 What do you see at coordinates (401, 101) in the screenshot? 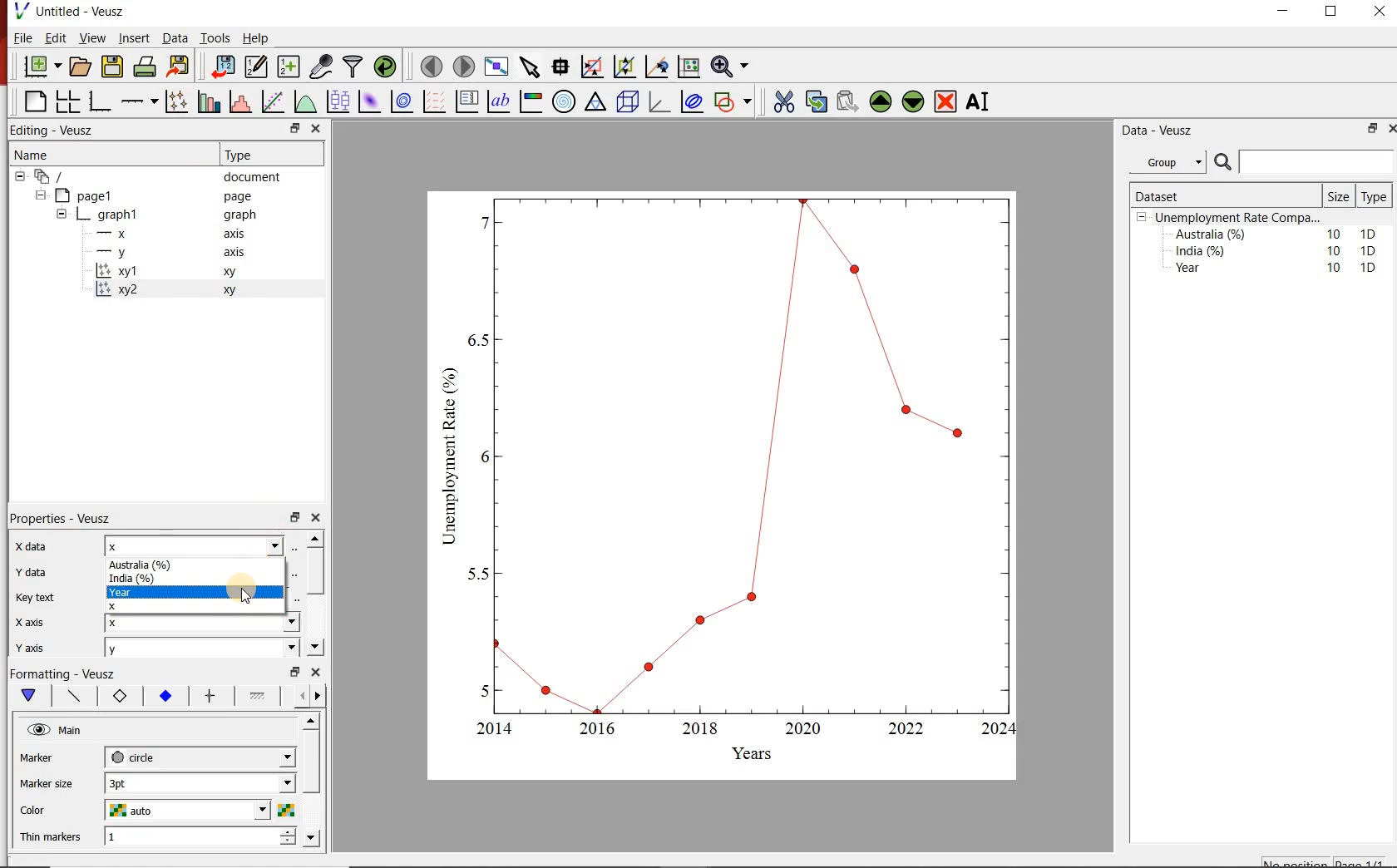
I see `plot 2d datasets as contours` at bounding box center [401, 101].